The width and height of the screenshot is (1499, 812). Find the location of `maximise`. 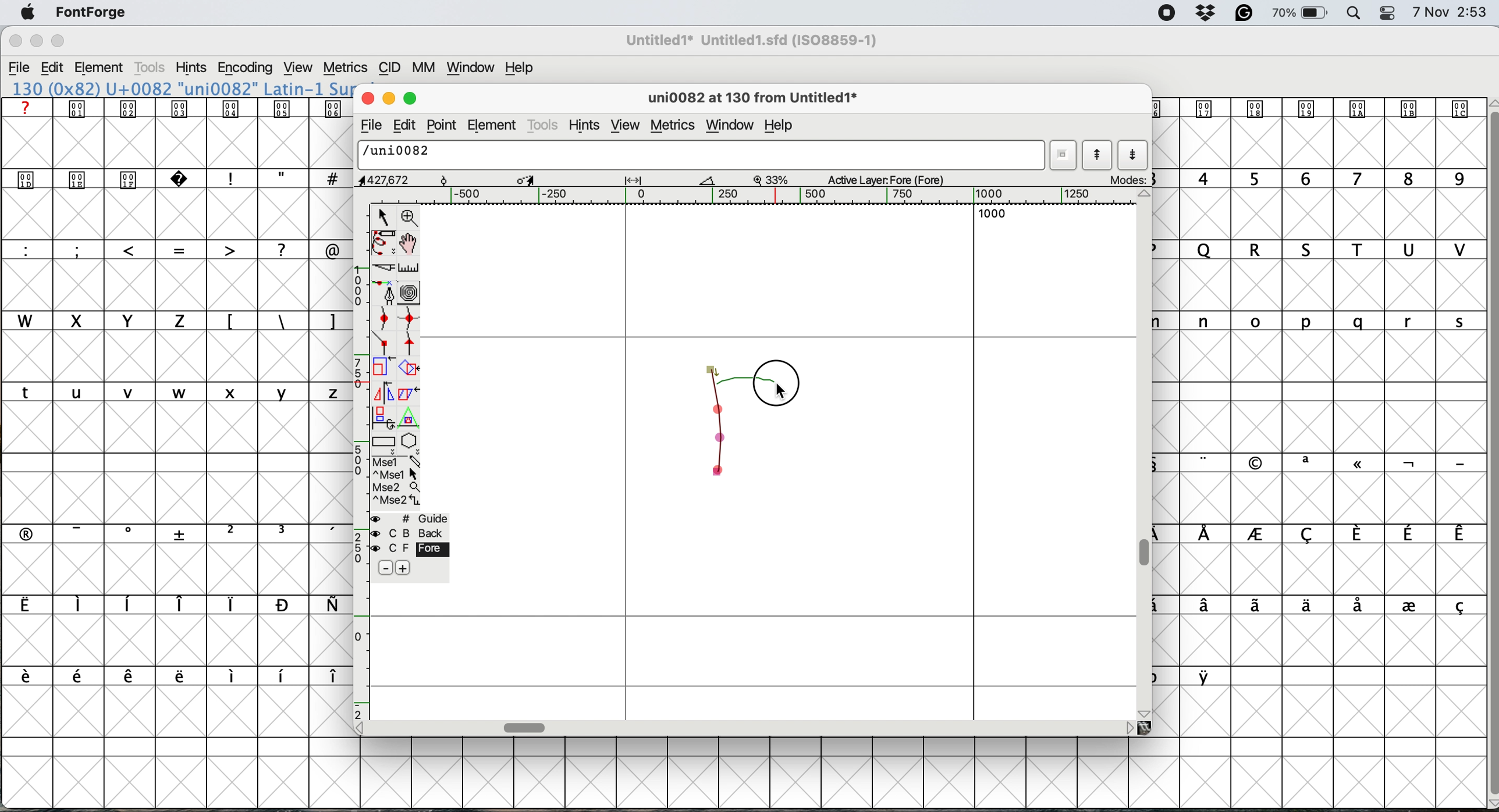

maximise is located at coordinates (411, 99).